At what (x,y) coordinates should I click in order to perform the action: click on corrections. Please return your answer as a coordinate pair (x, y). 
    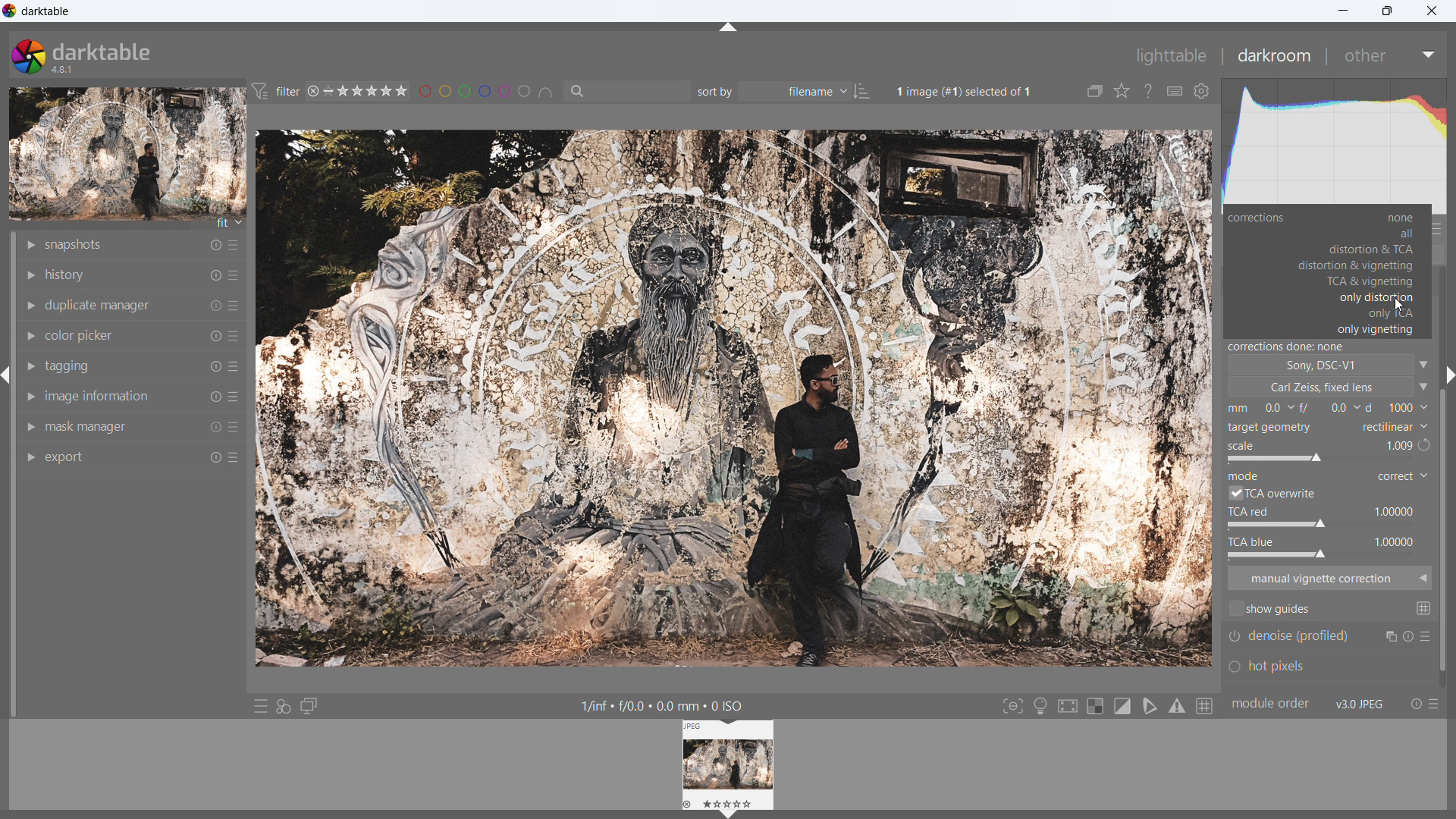
    Looking at the image, I should click on (1260, 219).